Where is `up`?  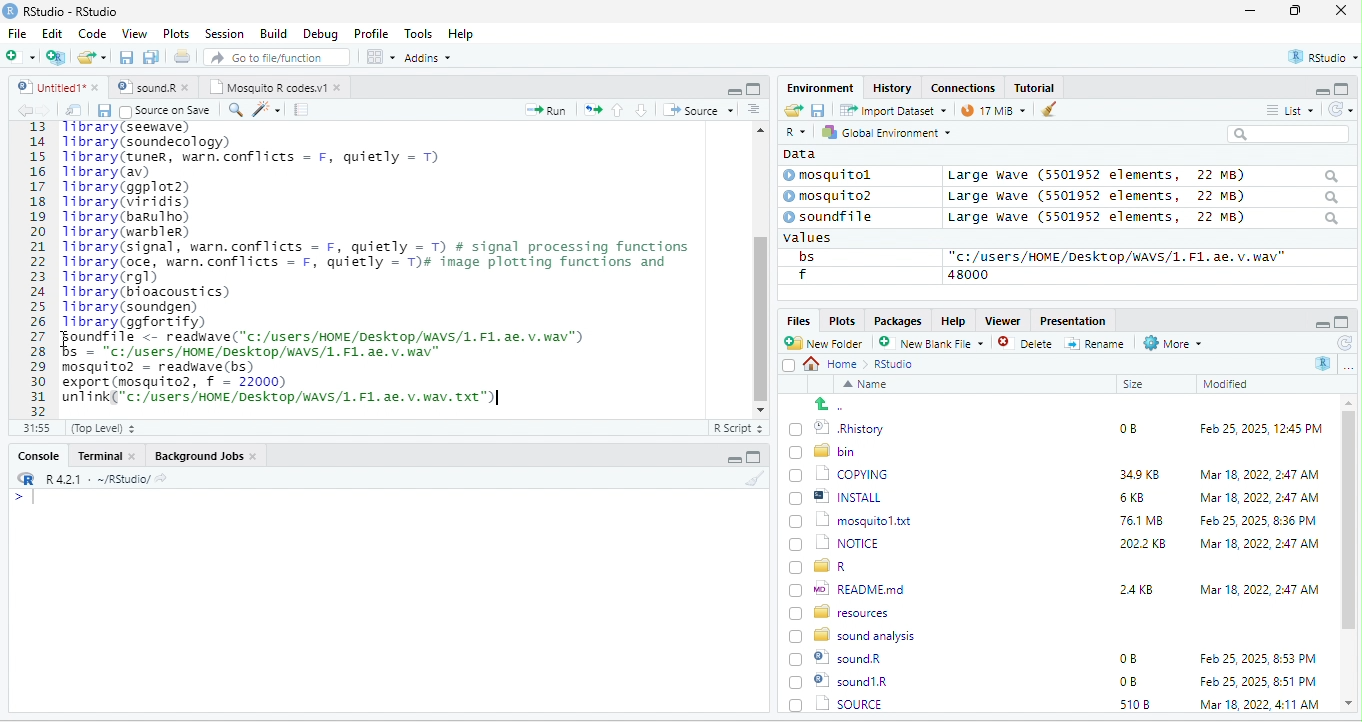 up is located at coordinates (619, 109).